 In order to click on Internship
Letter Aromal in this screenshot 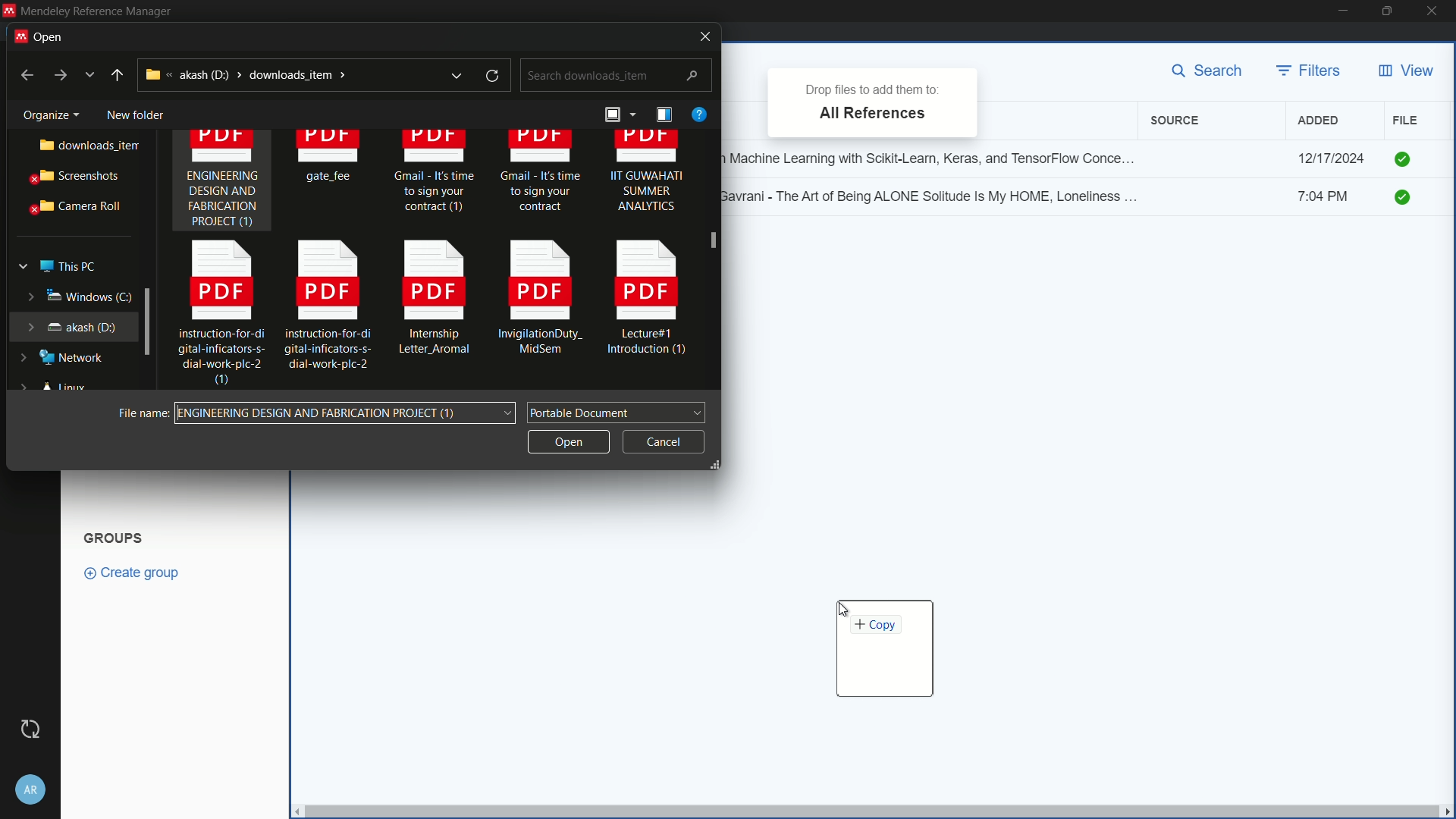, I will do `click(429, 303)`.